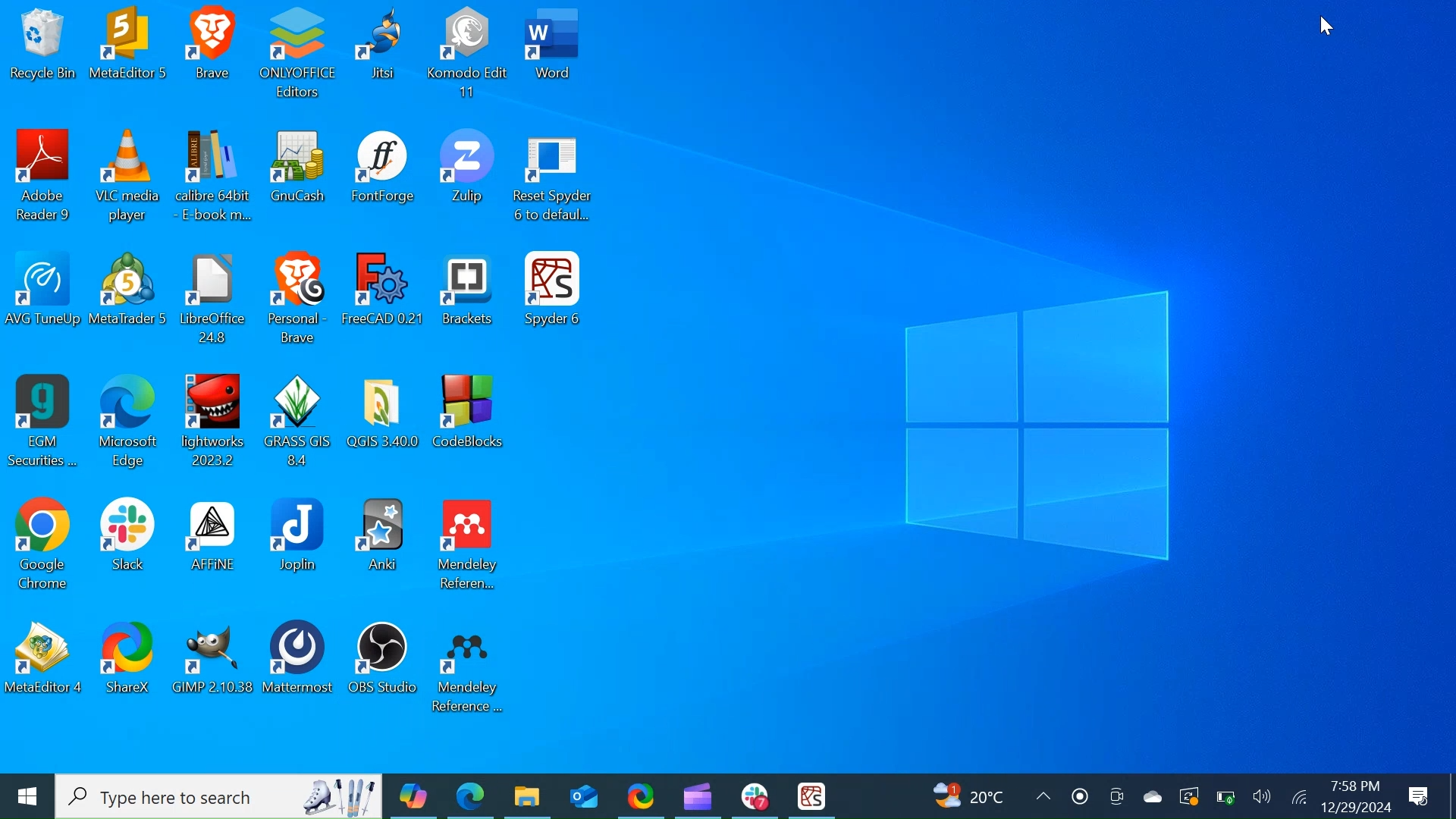  I want to click on Mendeley Reference Manager Desktop icon, so click(470, 546).